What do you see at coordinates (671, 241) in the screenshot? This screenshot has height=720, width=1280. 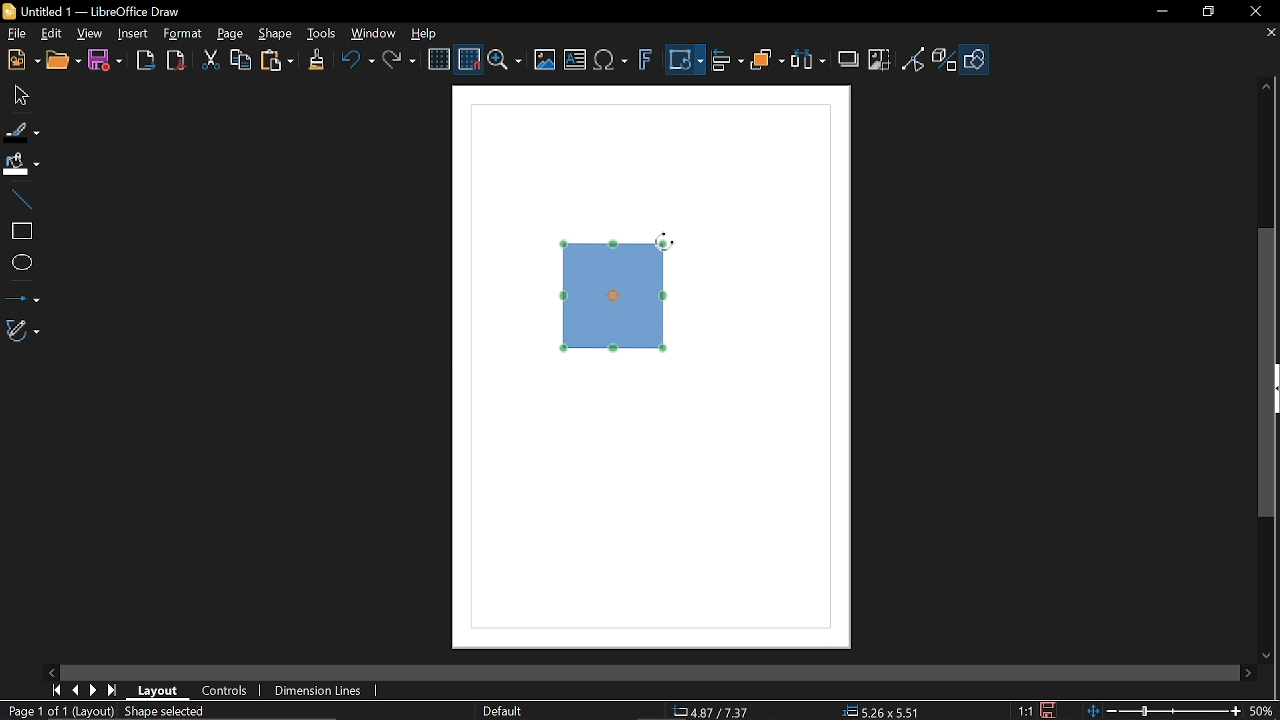 I see `Cursor` at bounding box center [671, 241].